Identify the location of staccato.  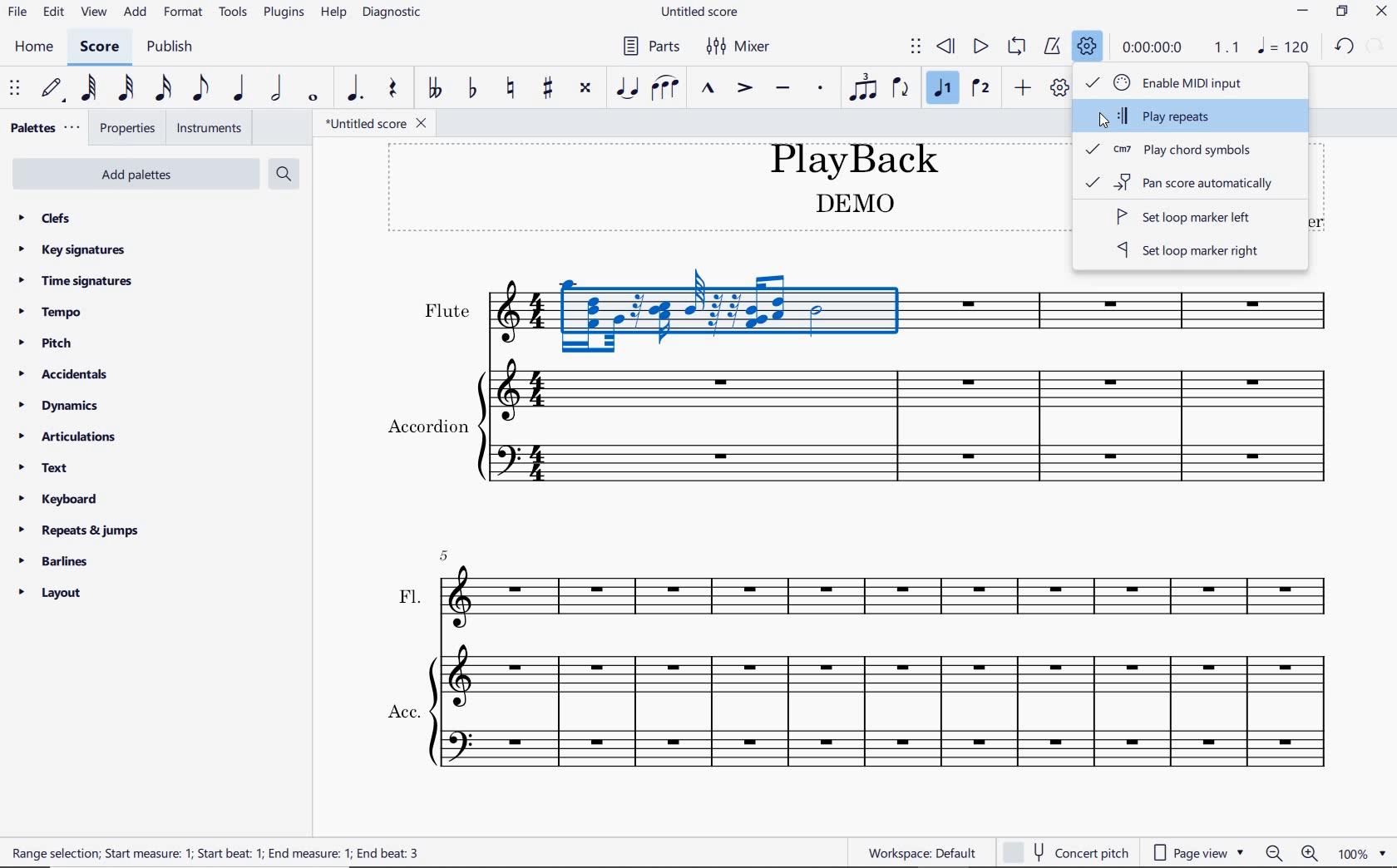
(821, 87).